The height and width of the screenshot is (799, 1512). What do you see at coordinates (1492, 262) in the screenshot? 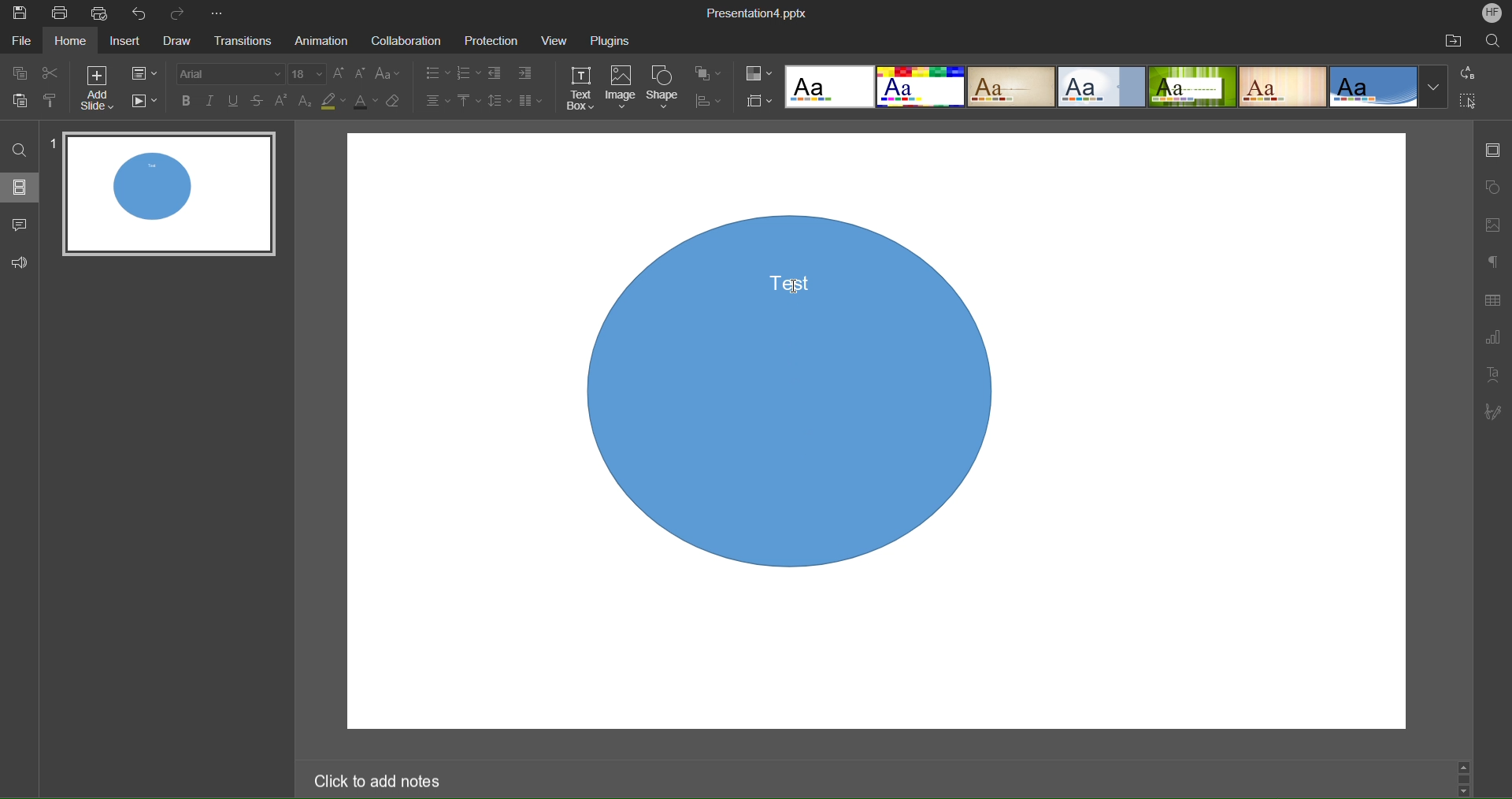
I see `Paragraph Settings` at bounding box center [1492, 262].